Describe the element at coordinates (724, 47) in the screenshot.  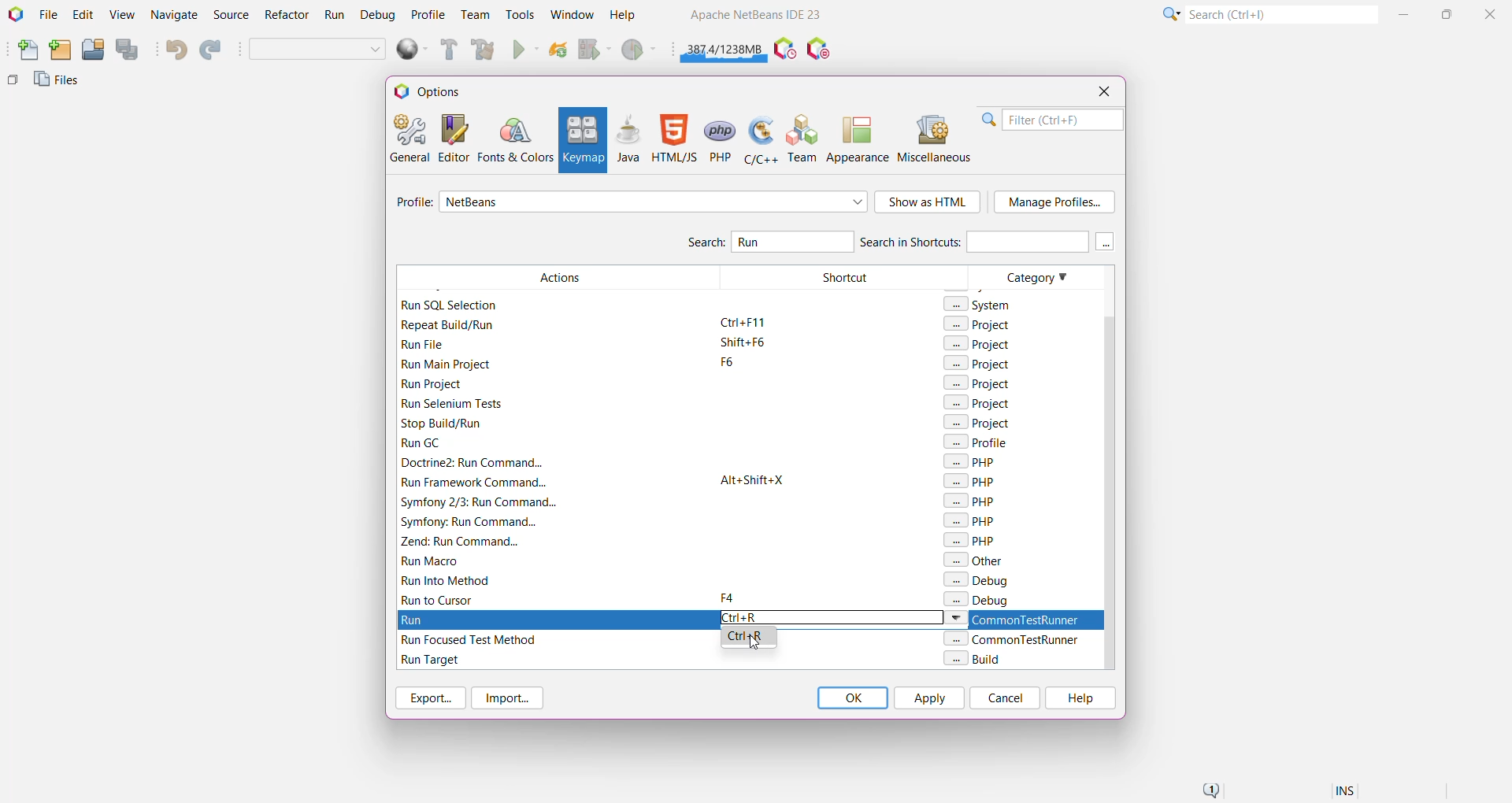
I see `Click to force garbage collection` at that location.